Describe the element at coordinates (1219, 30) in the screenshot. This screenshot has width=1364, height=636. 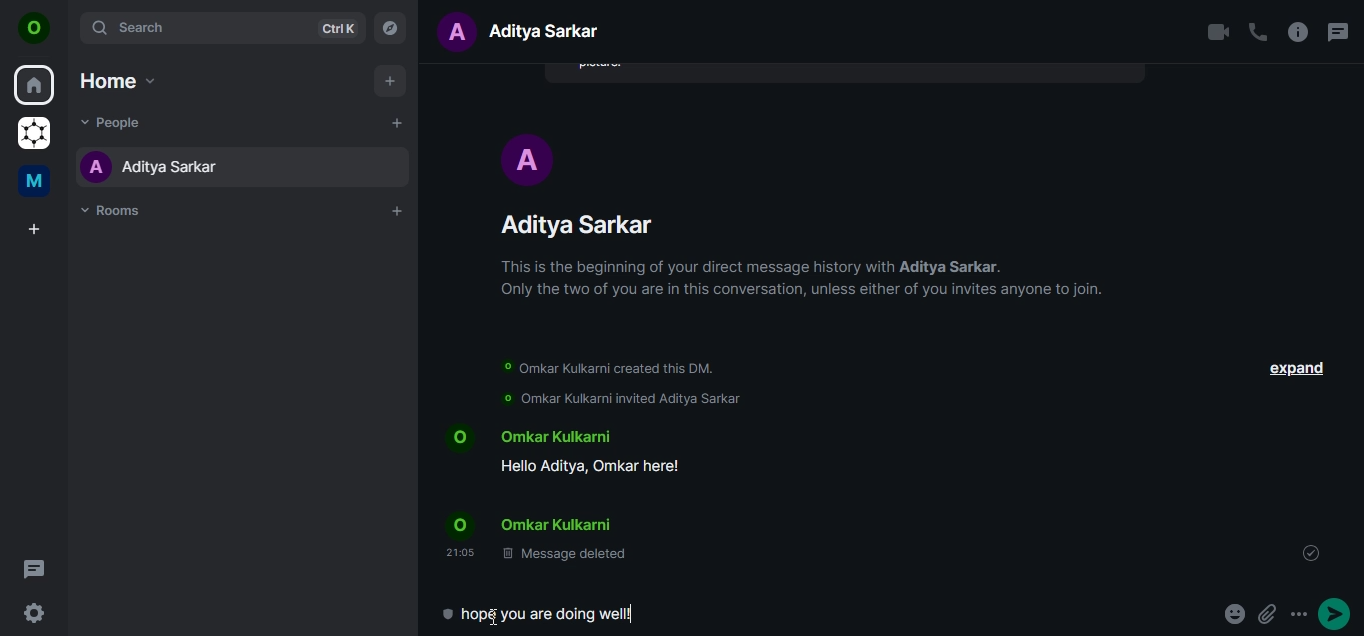
I see `video call` at that location.